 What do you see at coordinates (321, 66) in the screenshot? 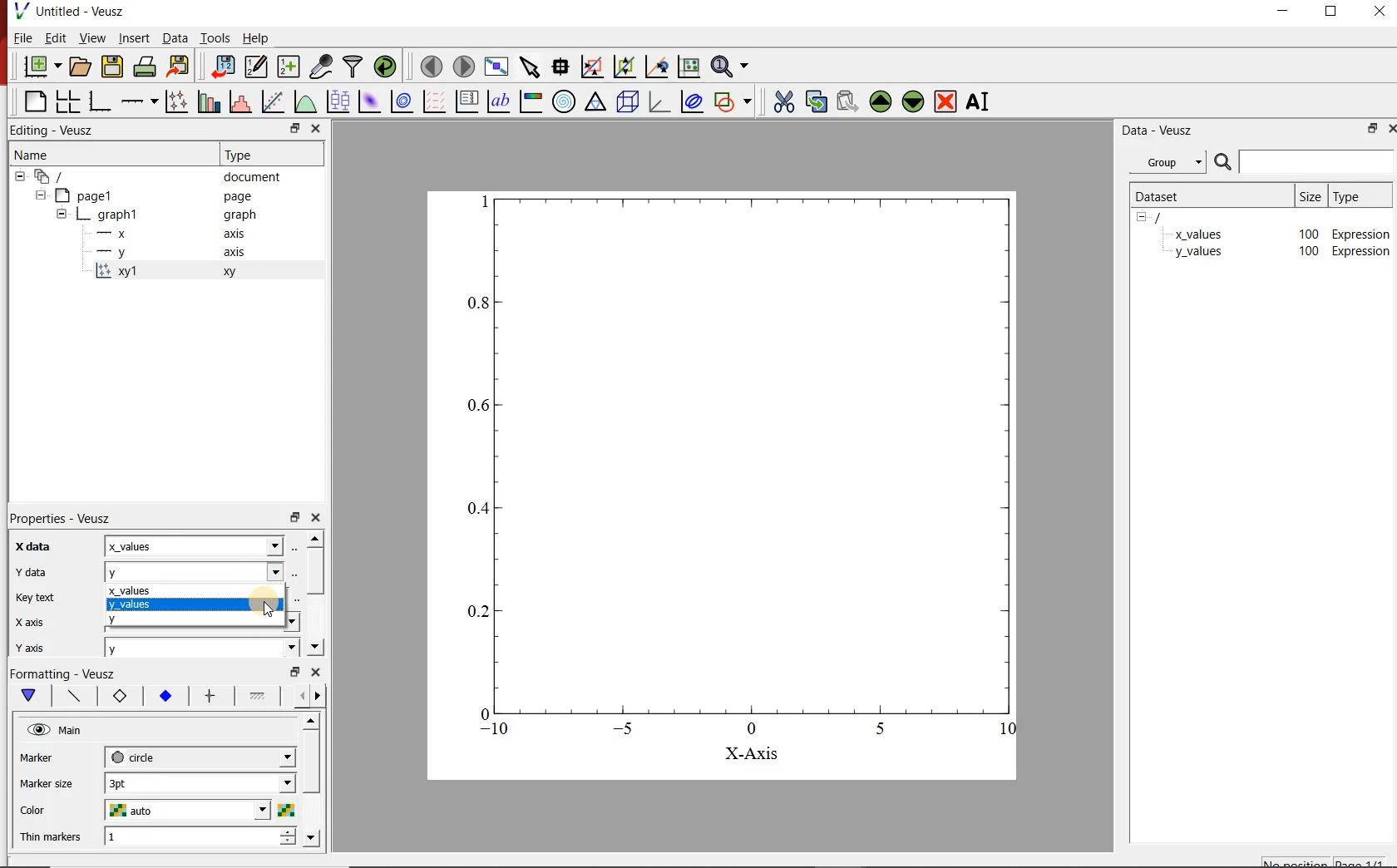
I see `capture remote data` at bounding box center [321, 66].